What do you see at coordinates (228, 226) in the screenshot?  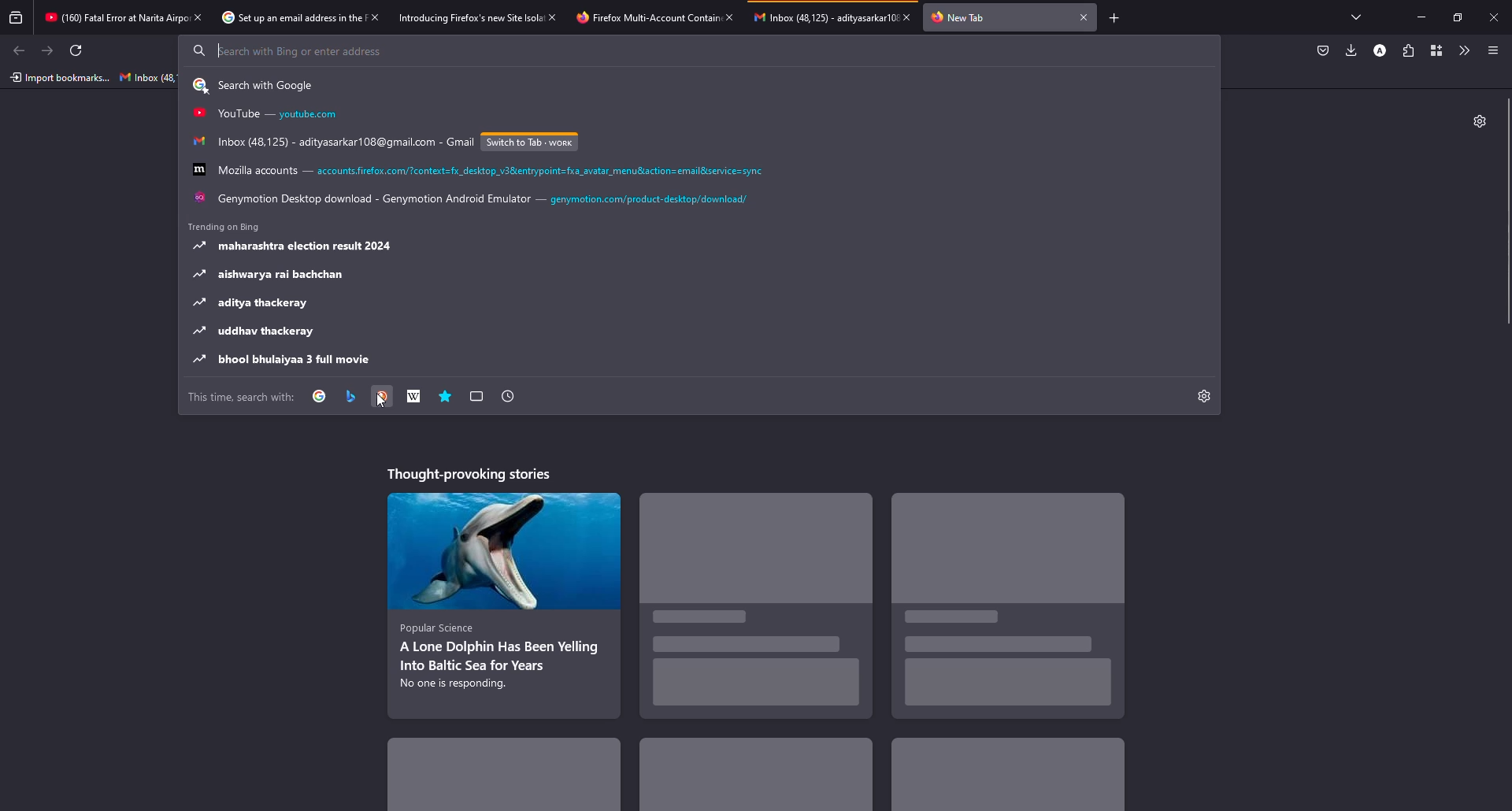 I see `trending` at bounding box center [228, 226].